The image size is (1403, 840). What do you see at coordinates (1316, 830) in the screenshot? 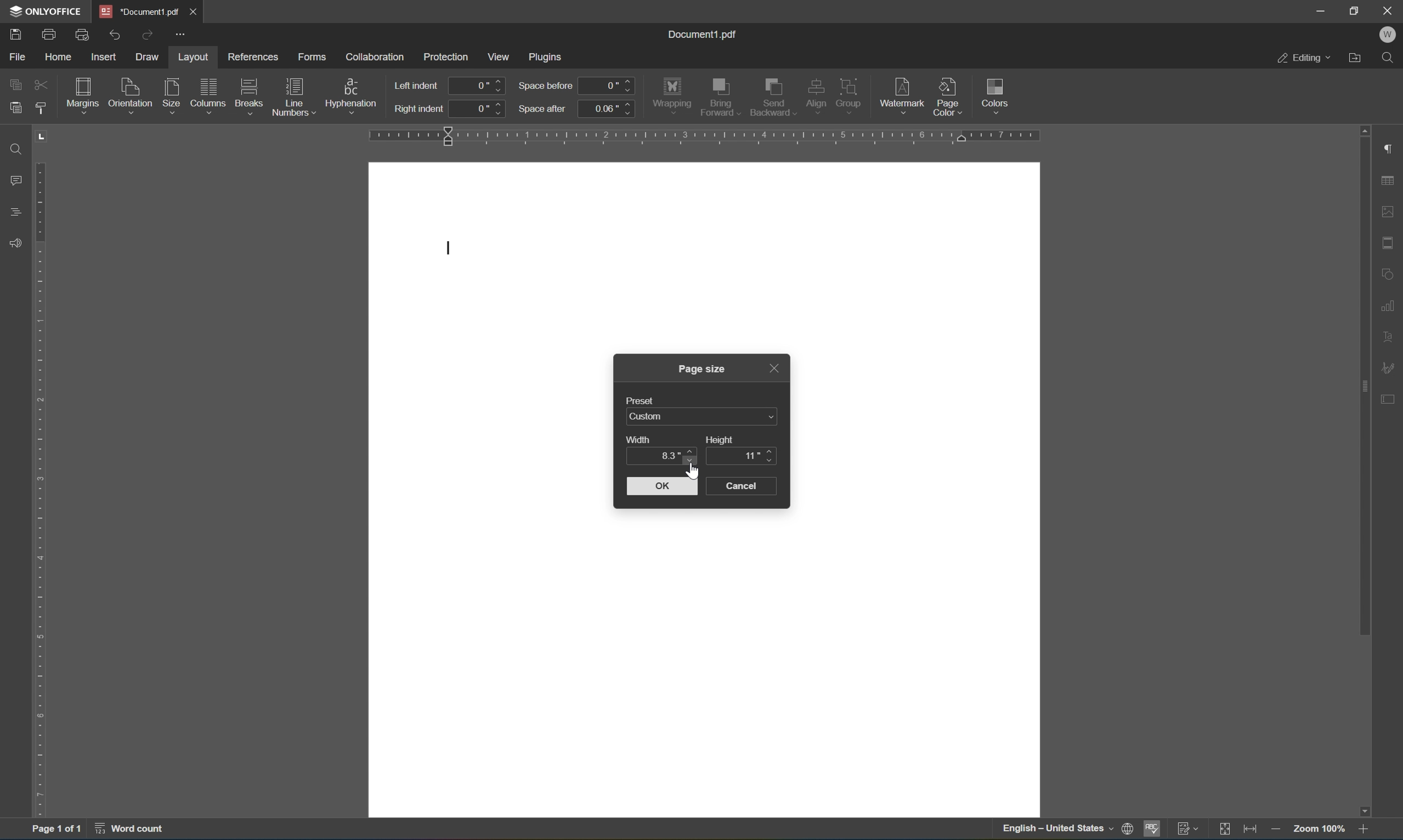
I see `zoom 100%` at bounding box center [1316, 830].